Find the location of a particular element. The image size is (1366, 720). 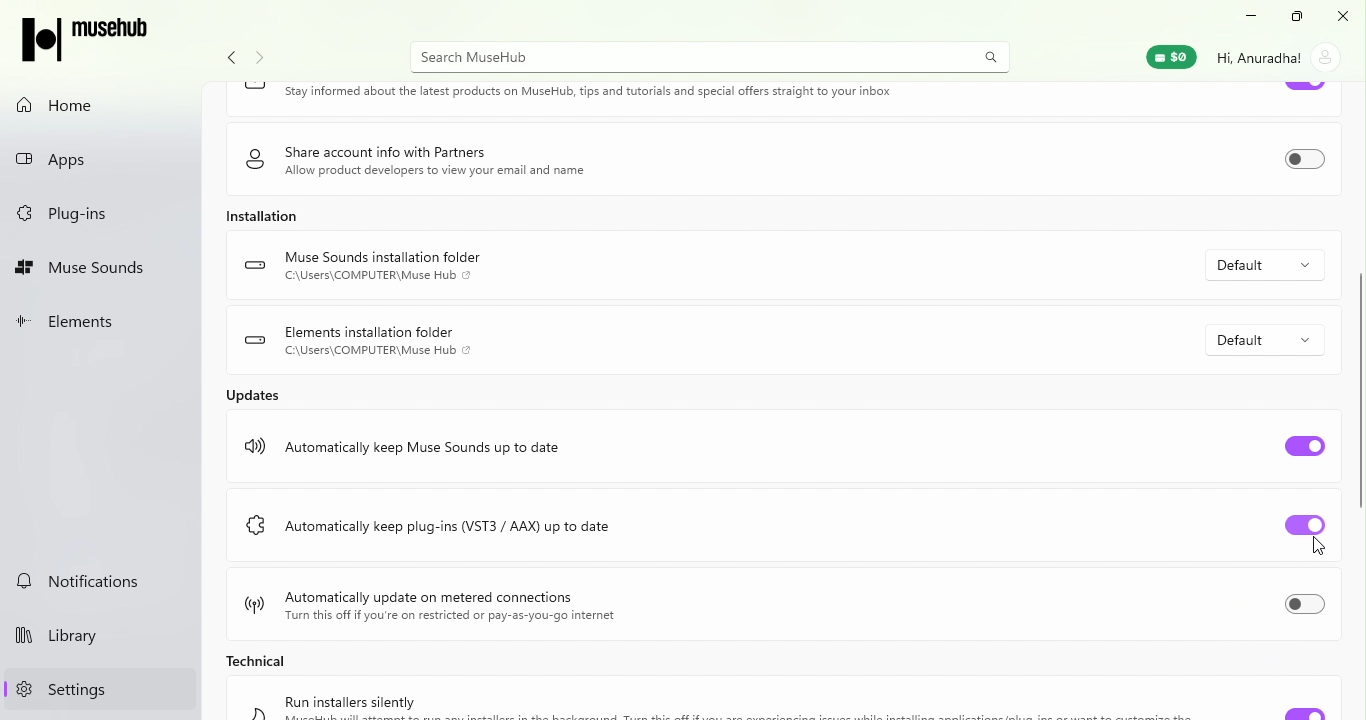

account is located at coordinates (1327, 59).